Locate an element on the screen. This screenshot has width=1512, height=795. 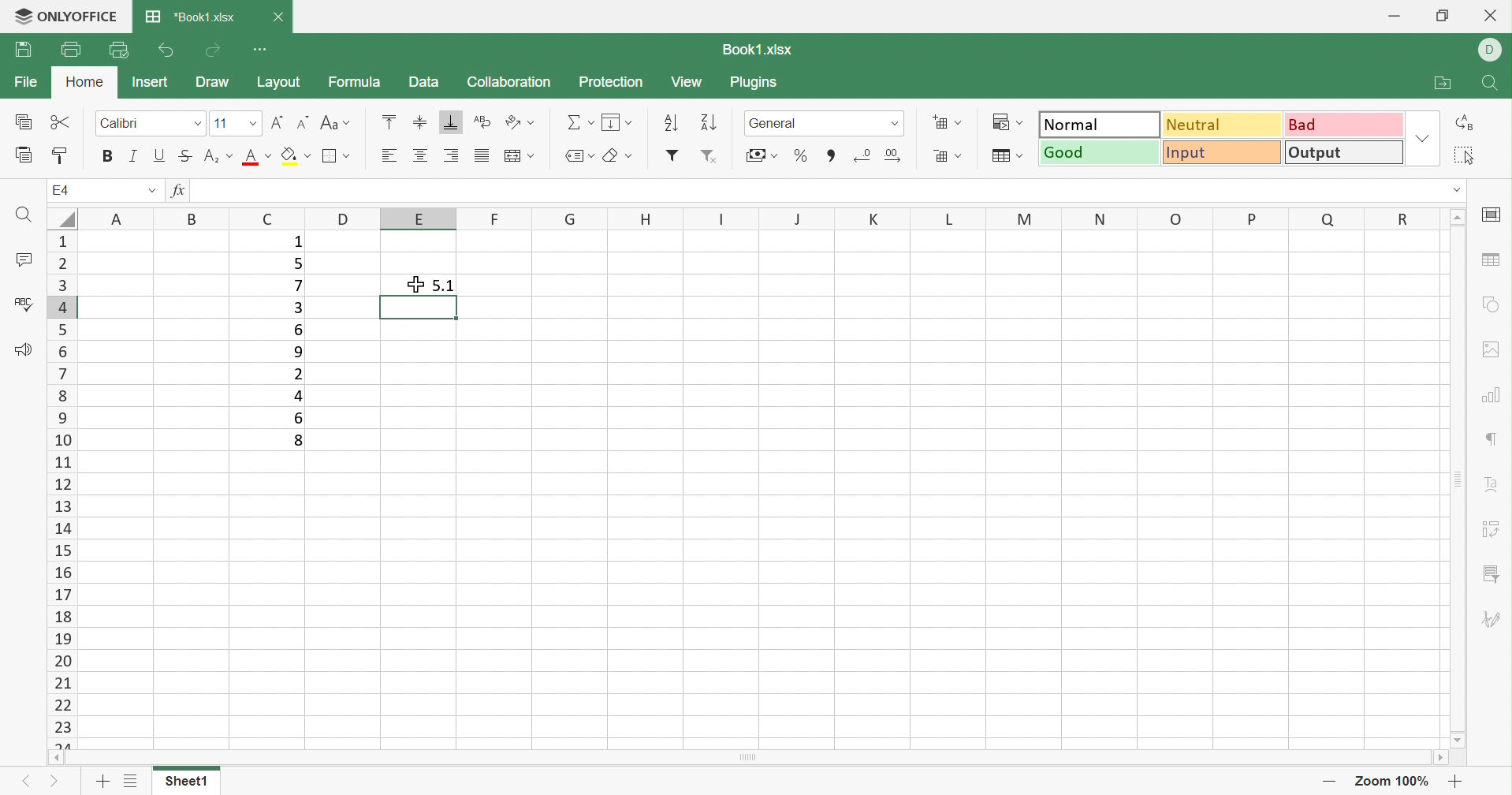
Justified is located at coordinates (481, 155).